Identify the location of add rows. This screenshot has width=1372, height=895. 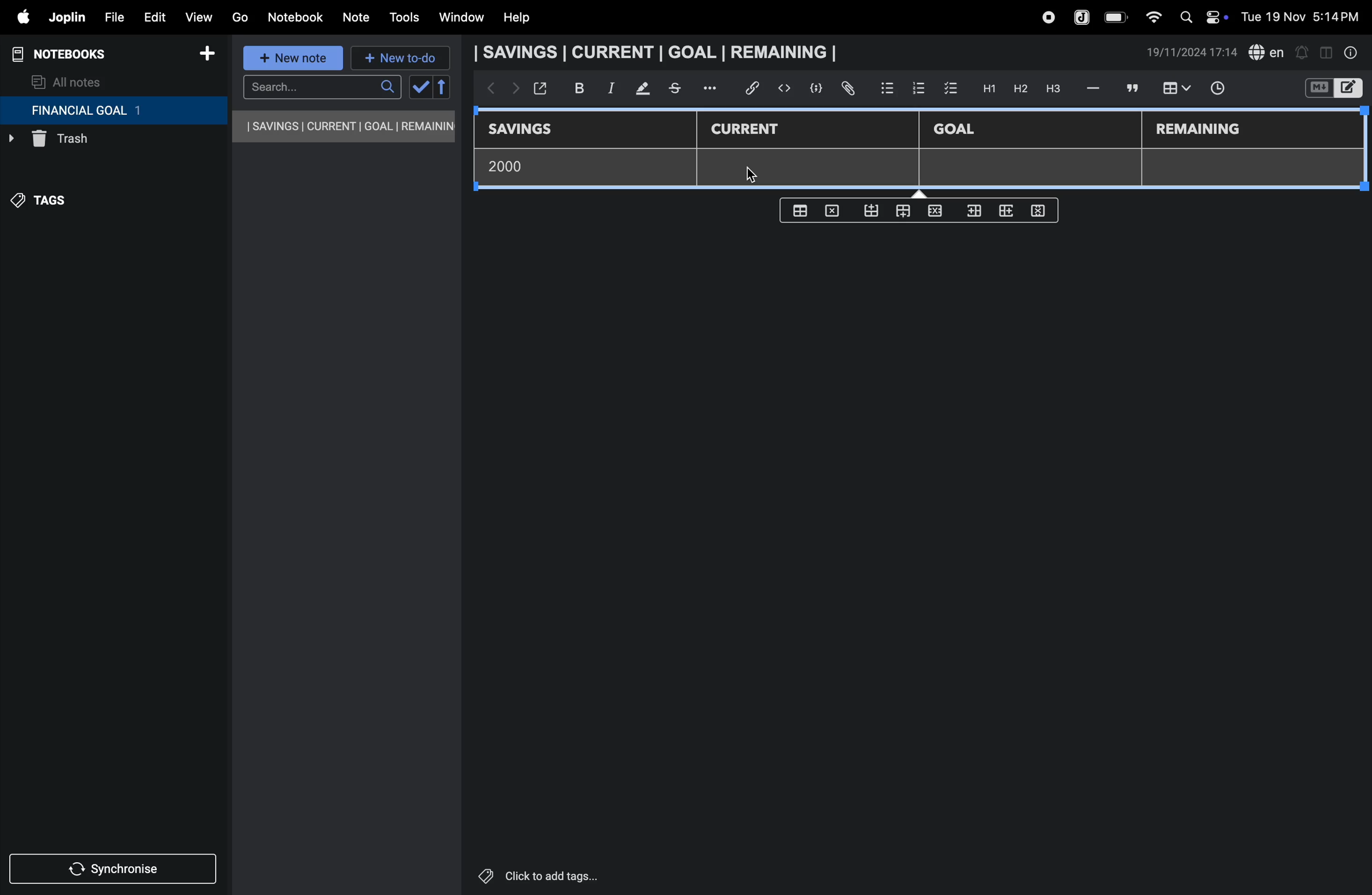
(1004, 214).